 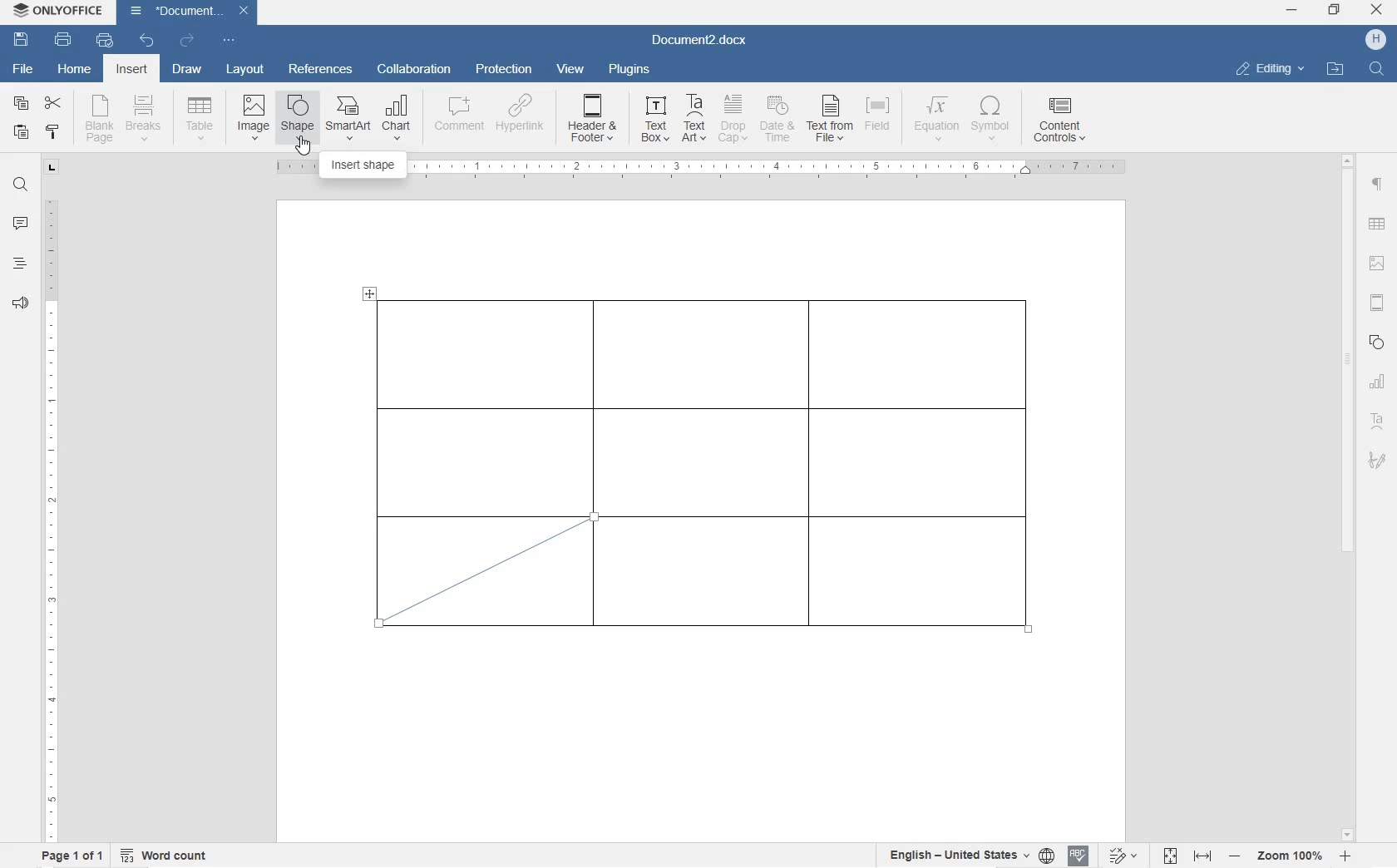 What do you see at coordinates (1377, 225) in the screenshot?
I see `table` at bounding box center [1377, 225].